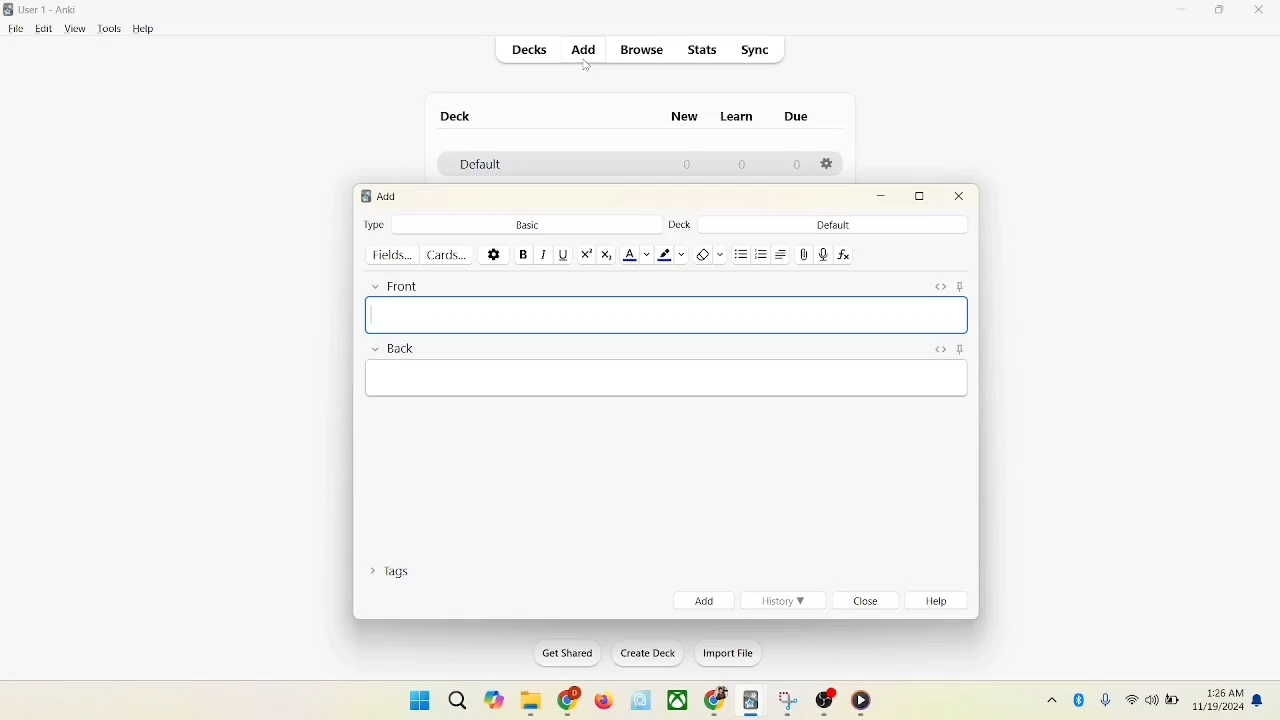 This screenshot has width=1280, height=720. I want to click on add, so click(389, 196).